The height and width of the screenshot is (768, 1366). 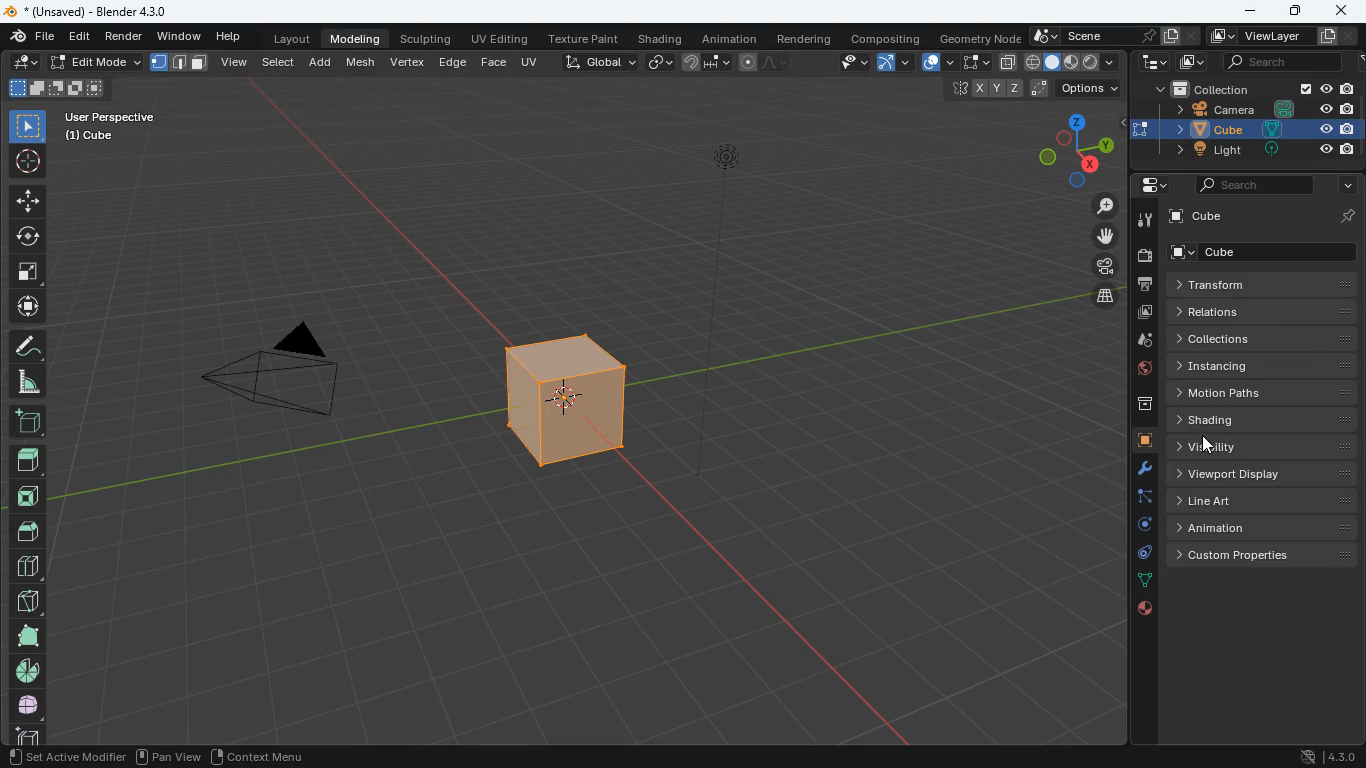 What do you see at coordinates (31, 38) in the screenshot?
I see `finder` at bounding box center [31, 38].